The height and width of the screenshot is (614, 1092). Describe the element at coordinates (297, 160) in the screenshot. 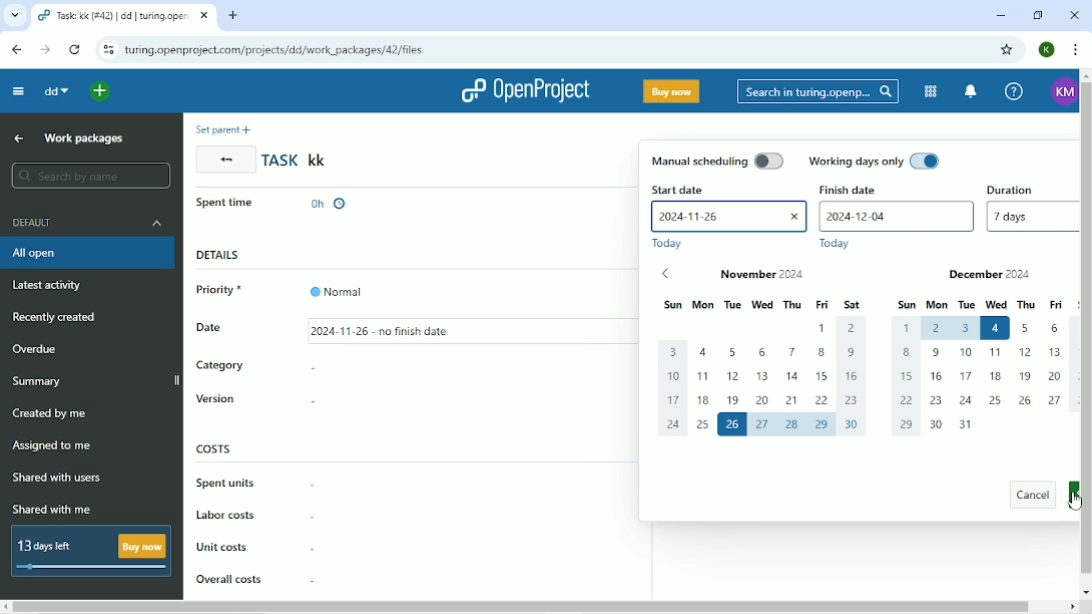

I see `Task kk` at that location.